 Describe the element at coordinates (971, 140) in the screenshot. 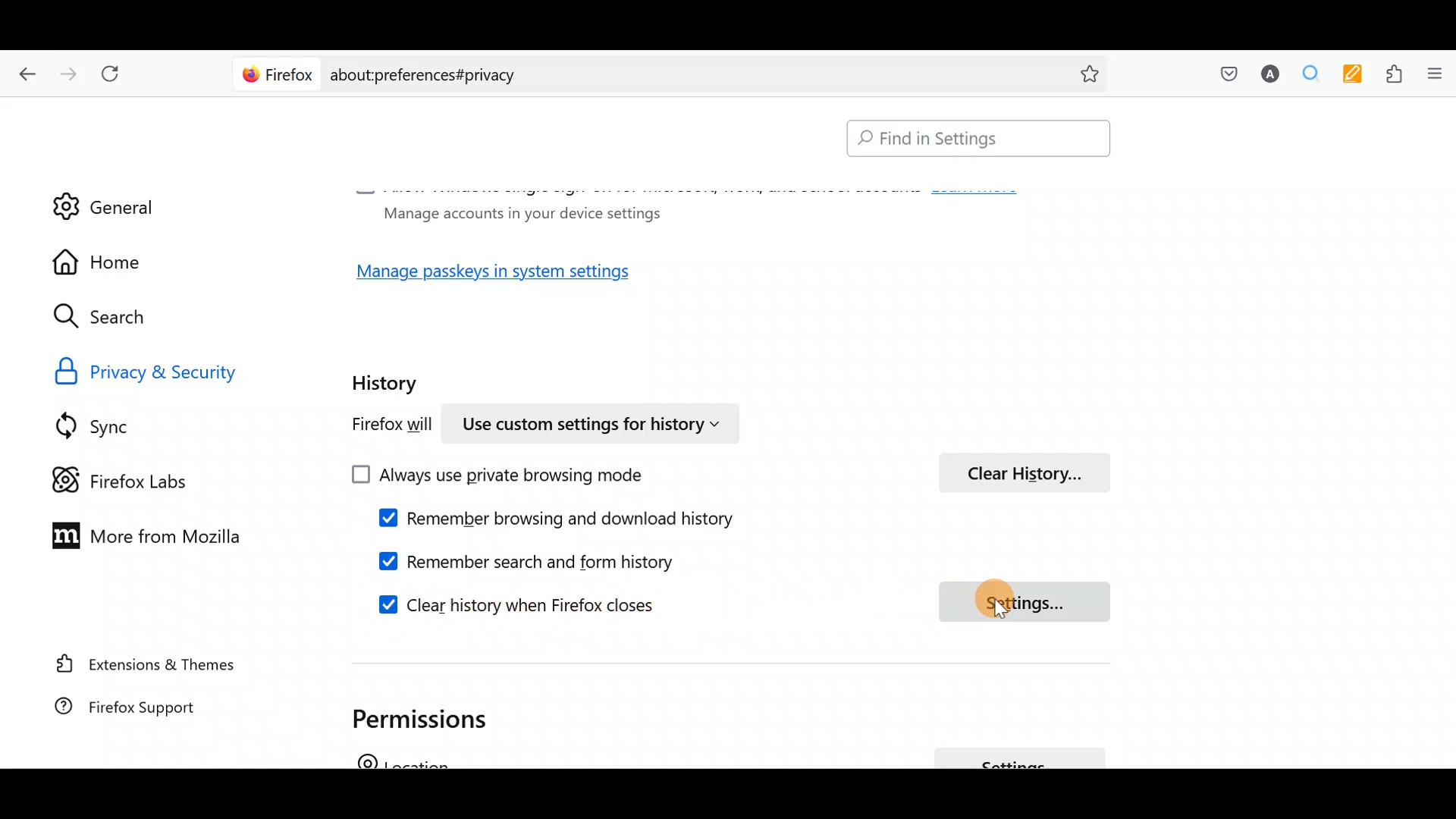

I see `Search bar` at that location.